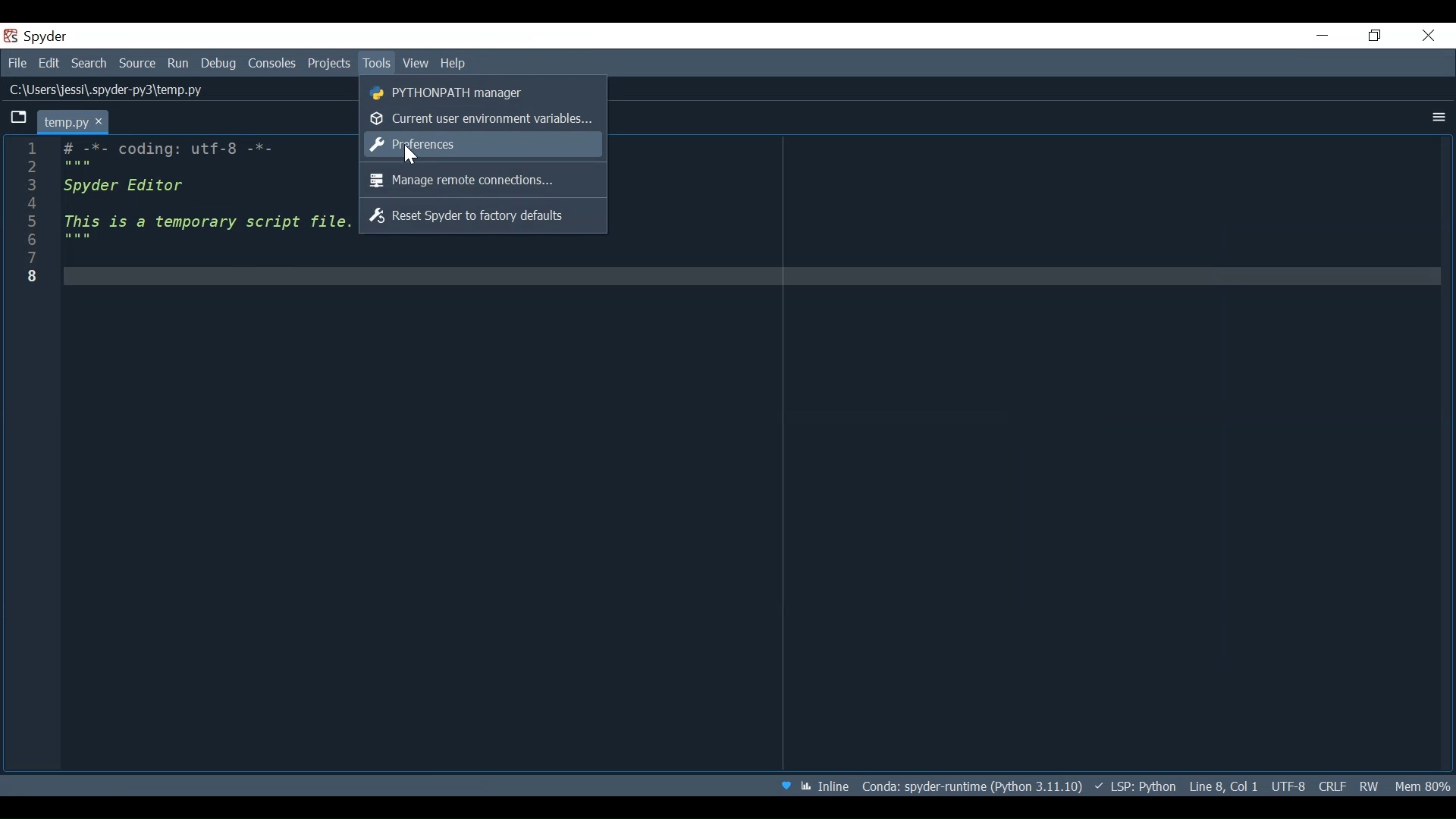  I want to click on Spyder Desktop Icon, so click(36, 36).